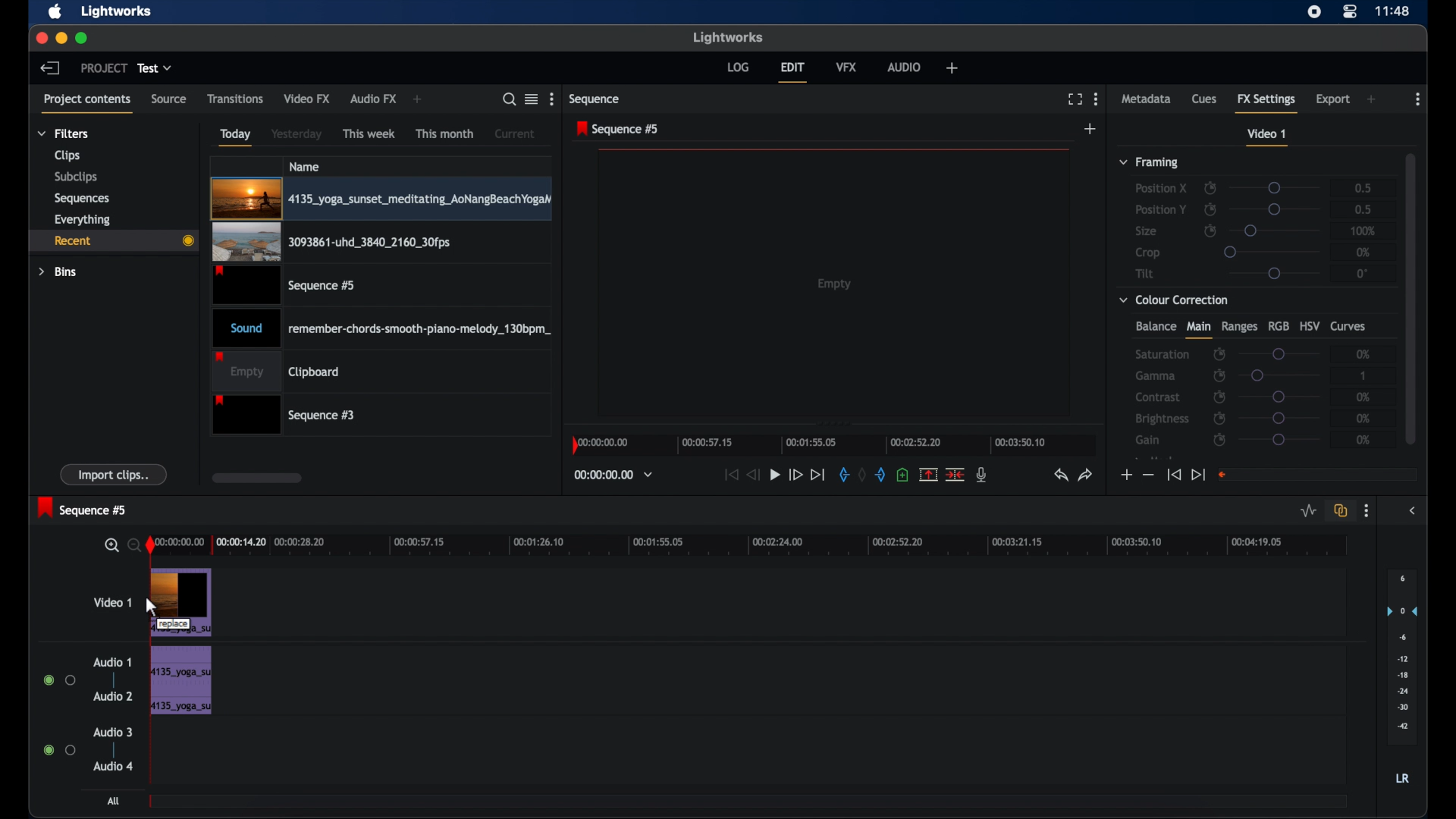 This screenshot has width=1456, height=819. I want to click on cues, so click(1205, 99).